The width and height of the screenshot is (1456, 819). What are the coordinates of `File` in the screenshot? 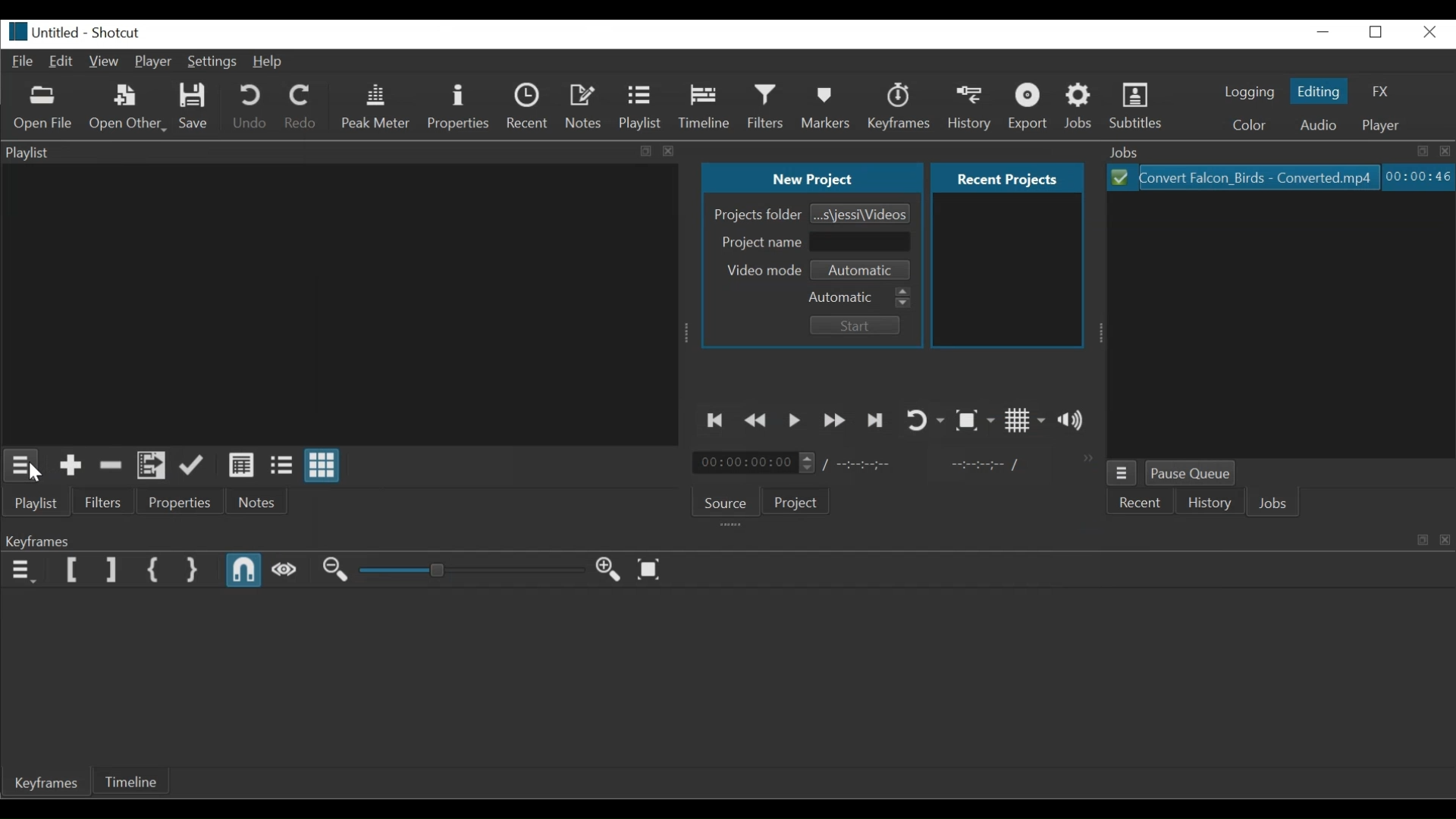 It's located at (24, 62).